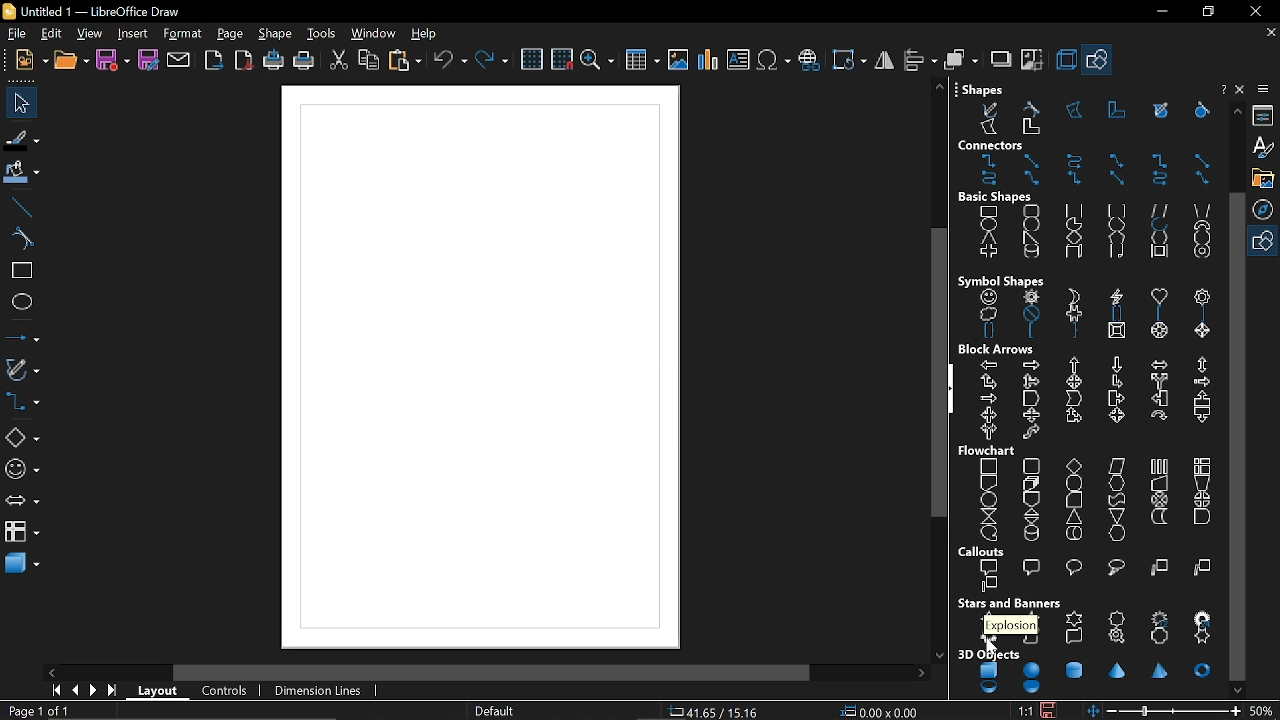 The image size is (1280, 720). Describe the element at coordinates (679, 60) in the screenshot. I see `Insert image` at that location.